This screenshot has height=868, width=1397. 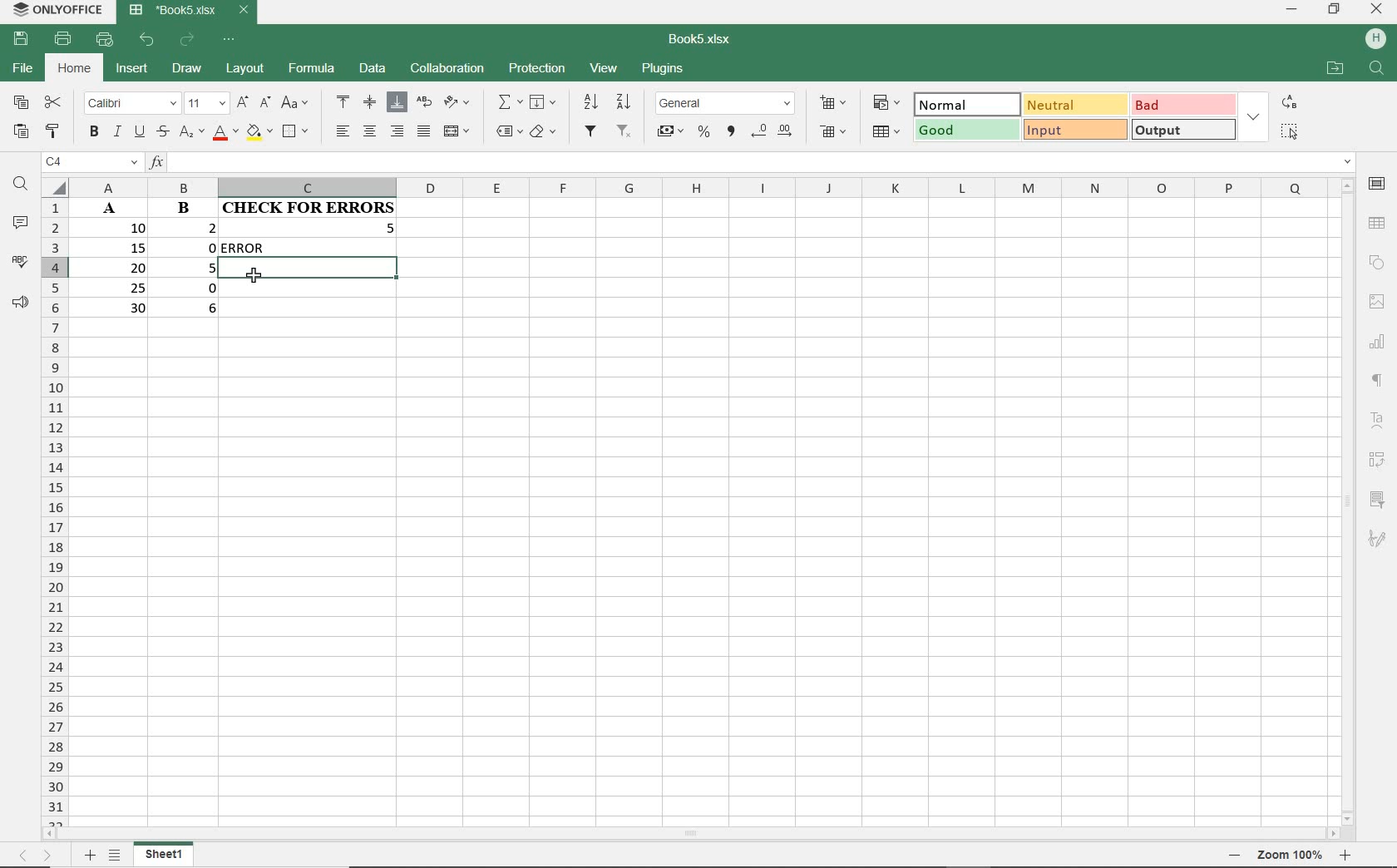 What do you see at coordinates (161, 133) in the screenshot?
I see `STRIKETHROUGH` at bounding box center [161, 133].